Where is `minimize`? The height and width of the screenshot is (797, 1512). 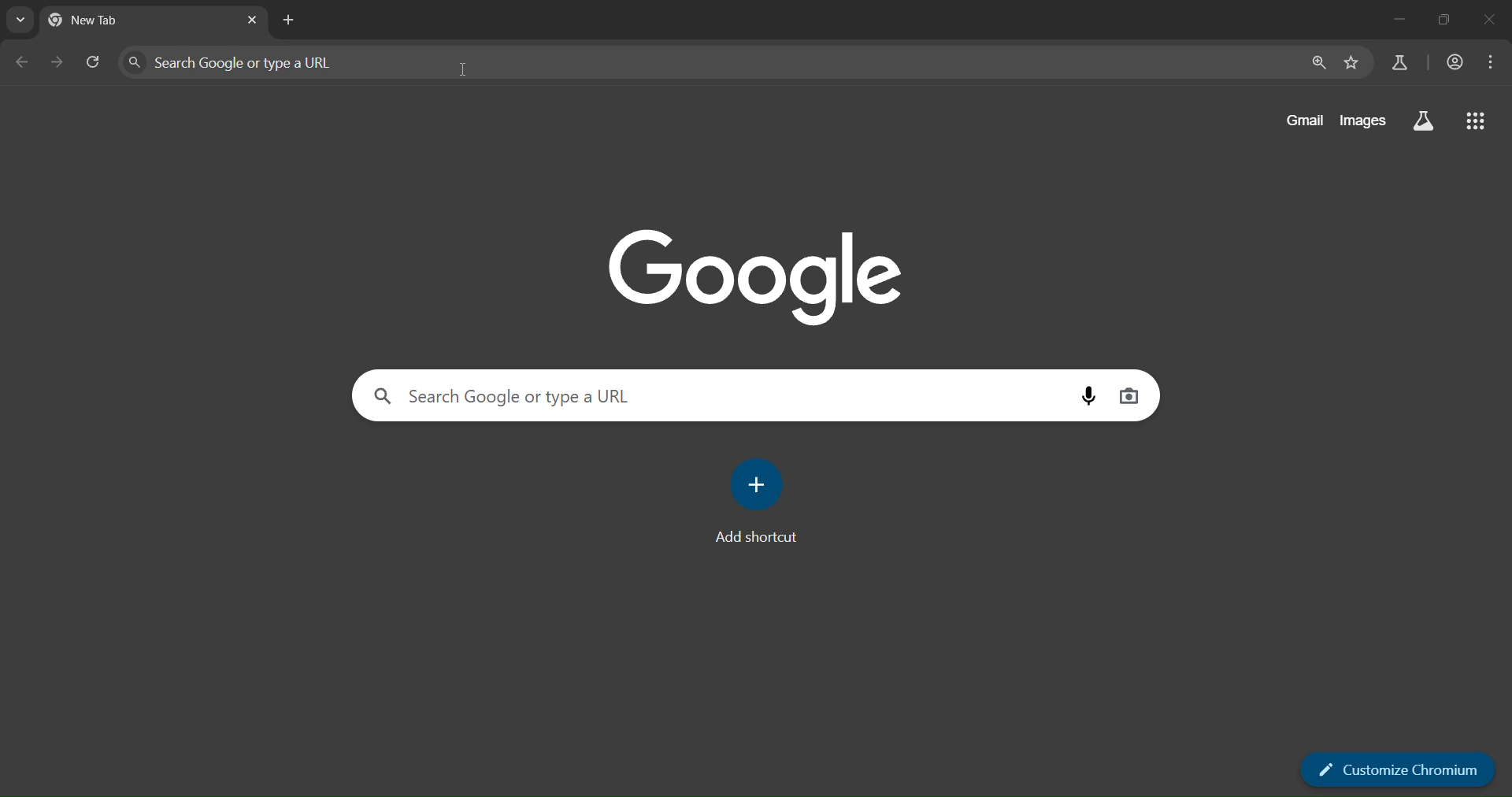 minimize is located at coordinates (1400, 19).